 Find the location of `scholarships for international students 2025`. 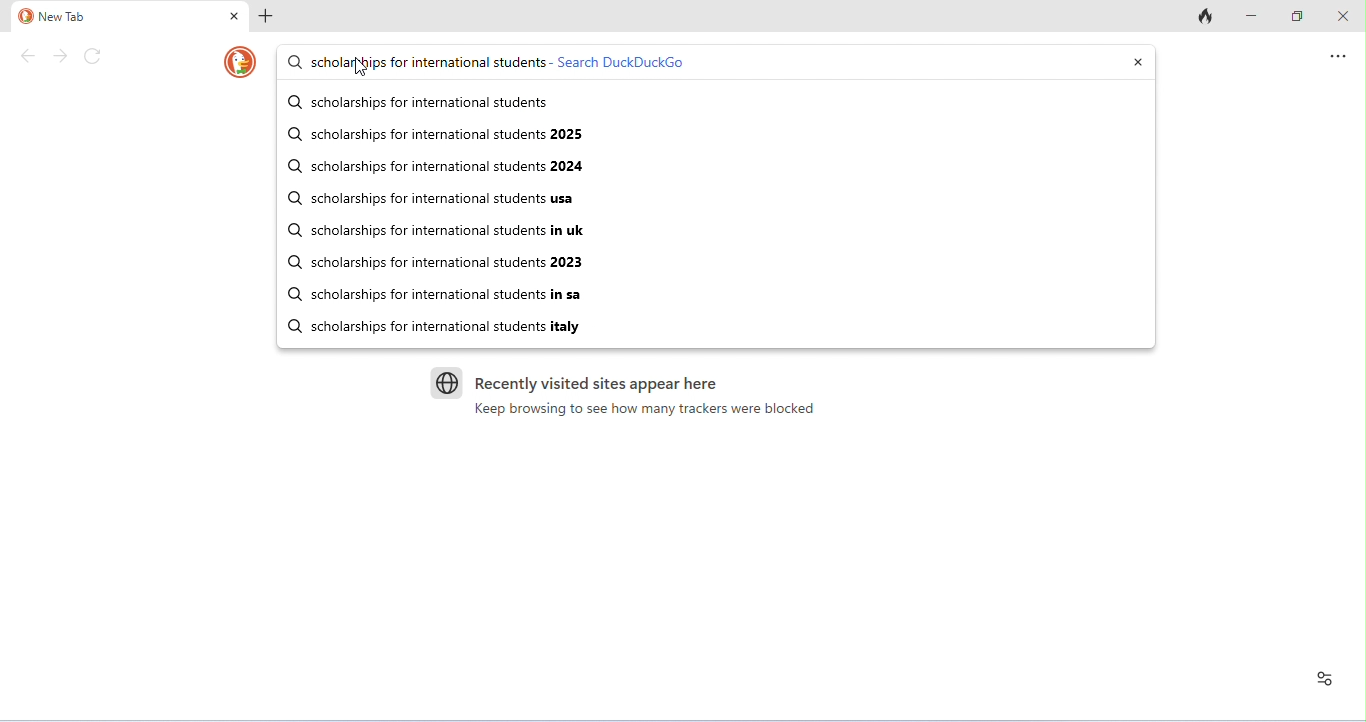

scholarships for international students 2025 is located at coordinates (445, 135).